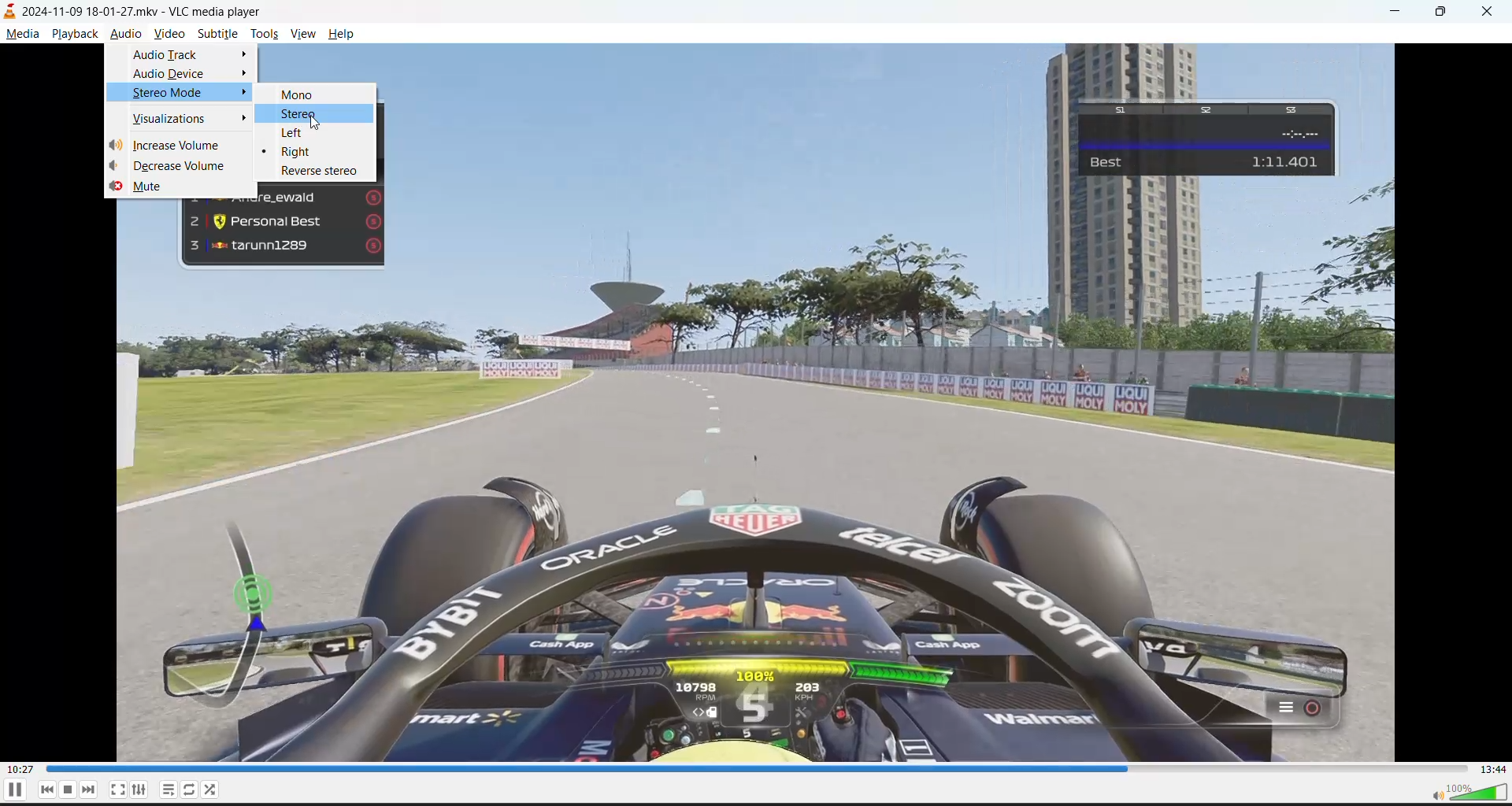 The height and width of the screenshot is (806, 1512). I want to click on audio track, so click(171, 57).